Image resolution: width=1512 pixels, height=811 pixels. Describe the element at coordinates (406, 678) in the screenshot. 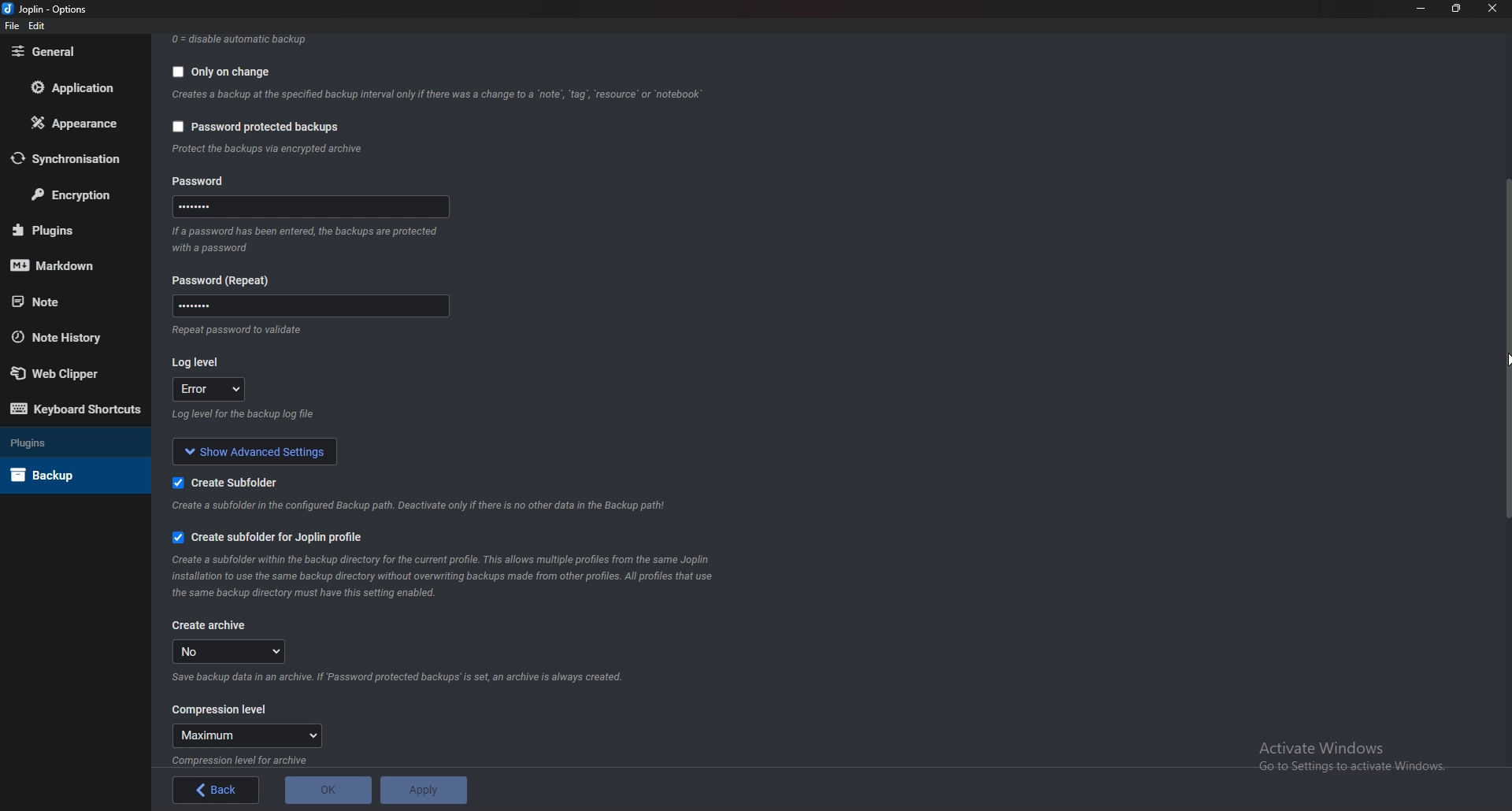

I see `Info` at that location.